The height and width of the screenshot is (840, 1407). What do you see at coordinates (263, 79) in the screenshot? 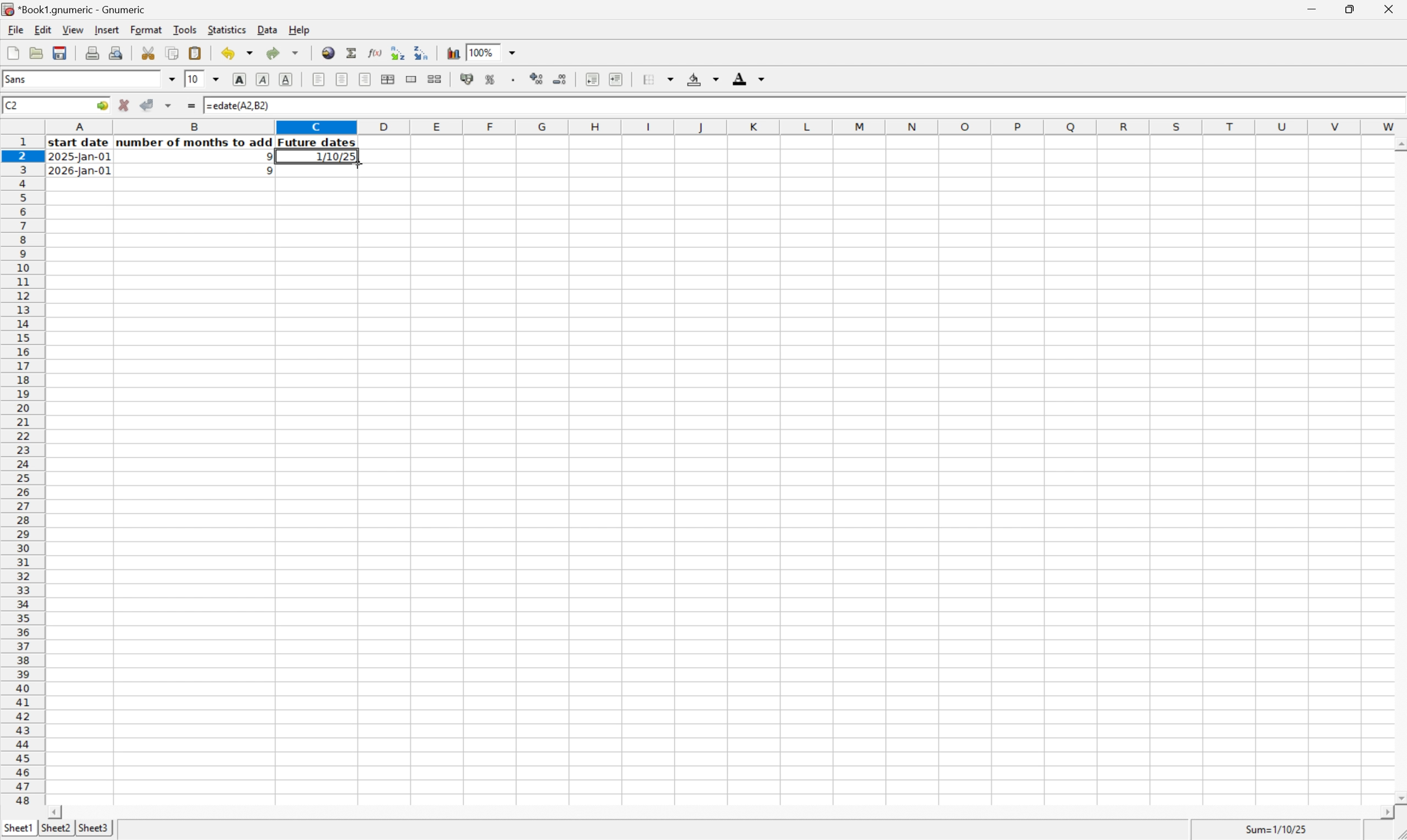
I see `Italic` at bounding box center [263, 79].